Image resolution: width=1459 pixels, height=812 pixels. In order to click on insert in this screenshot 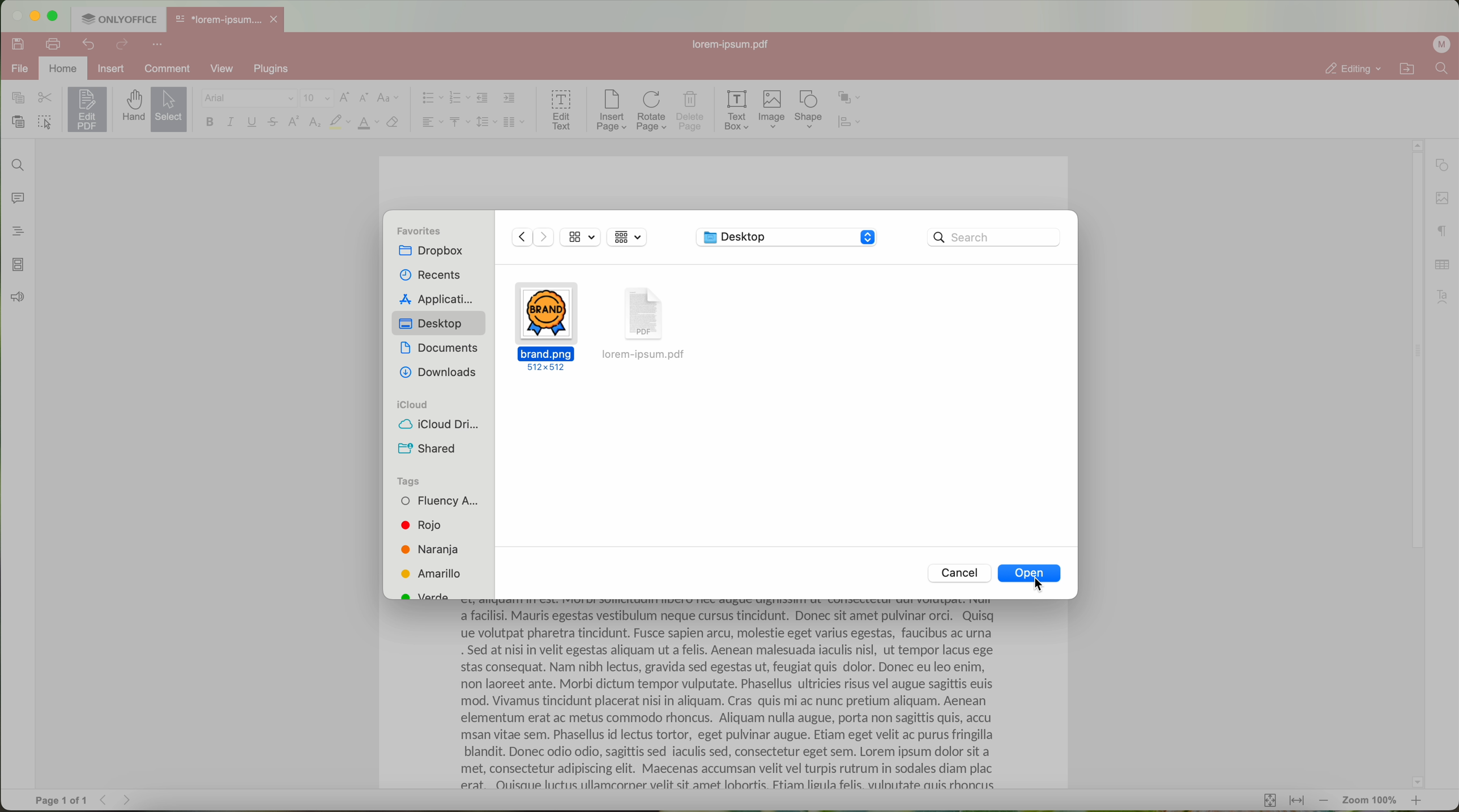, I will do `click(110, 68)`.